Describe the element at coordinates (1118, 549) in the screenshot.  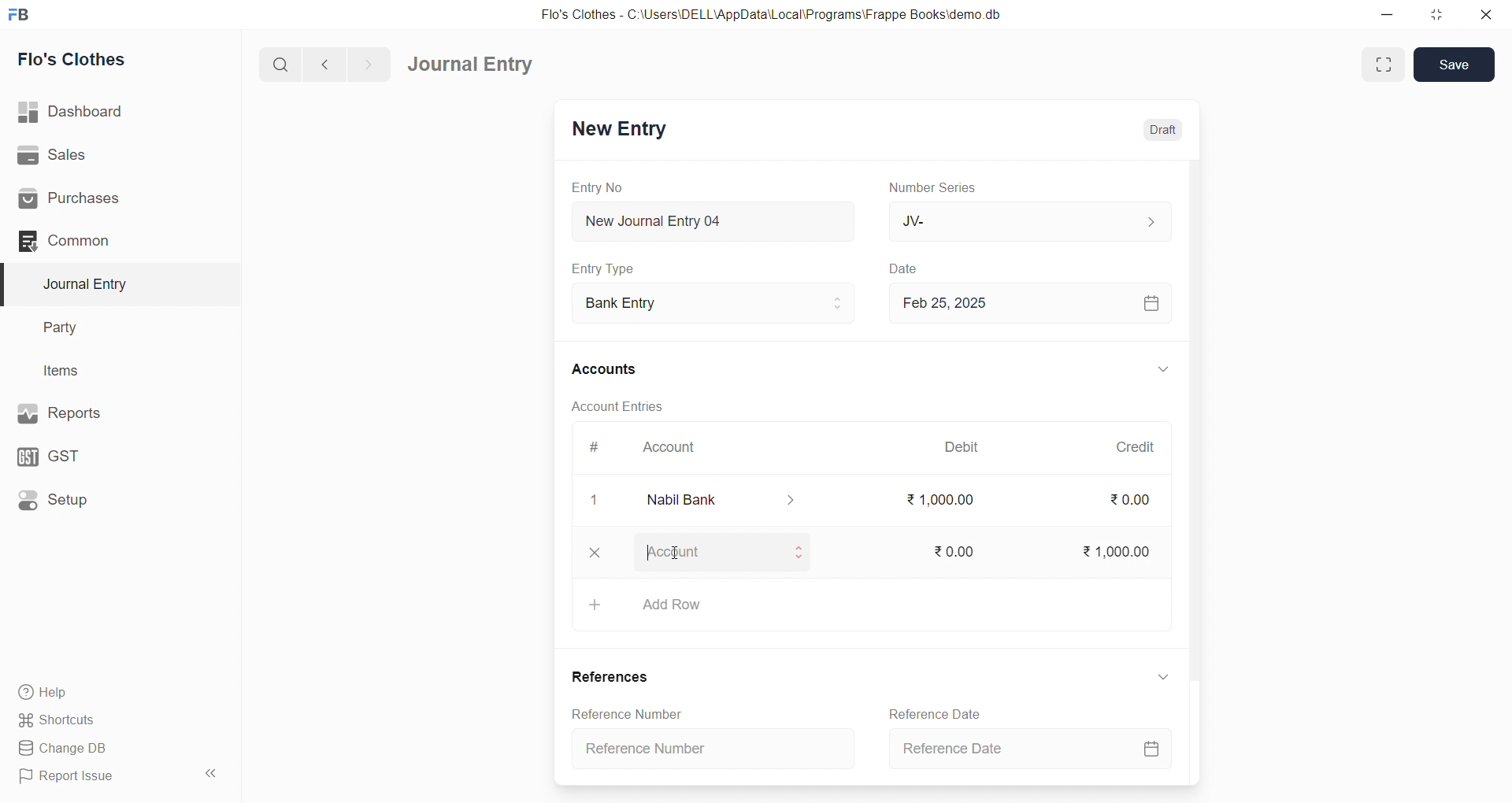
I see `₹ 1000.00` at that location.